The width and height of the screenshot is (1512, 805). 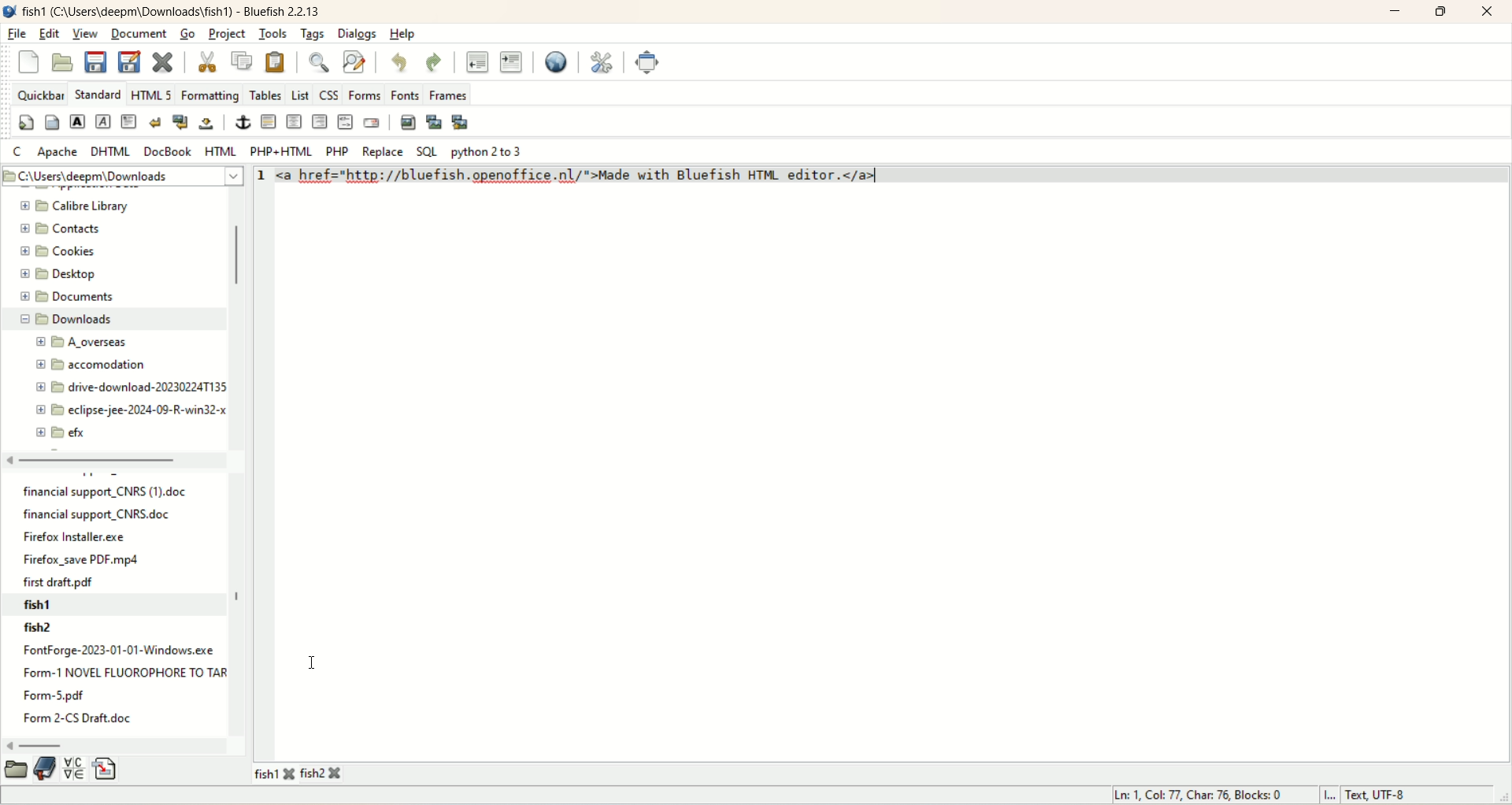 What do you see at coordinates (372, 122) in the screenshot?
I see `email` at bounding box center [372, 122].